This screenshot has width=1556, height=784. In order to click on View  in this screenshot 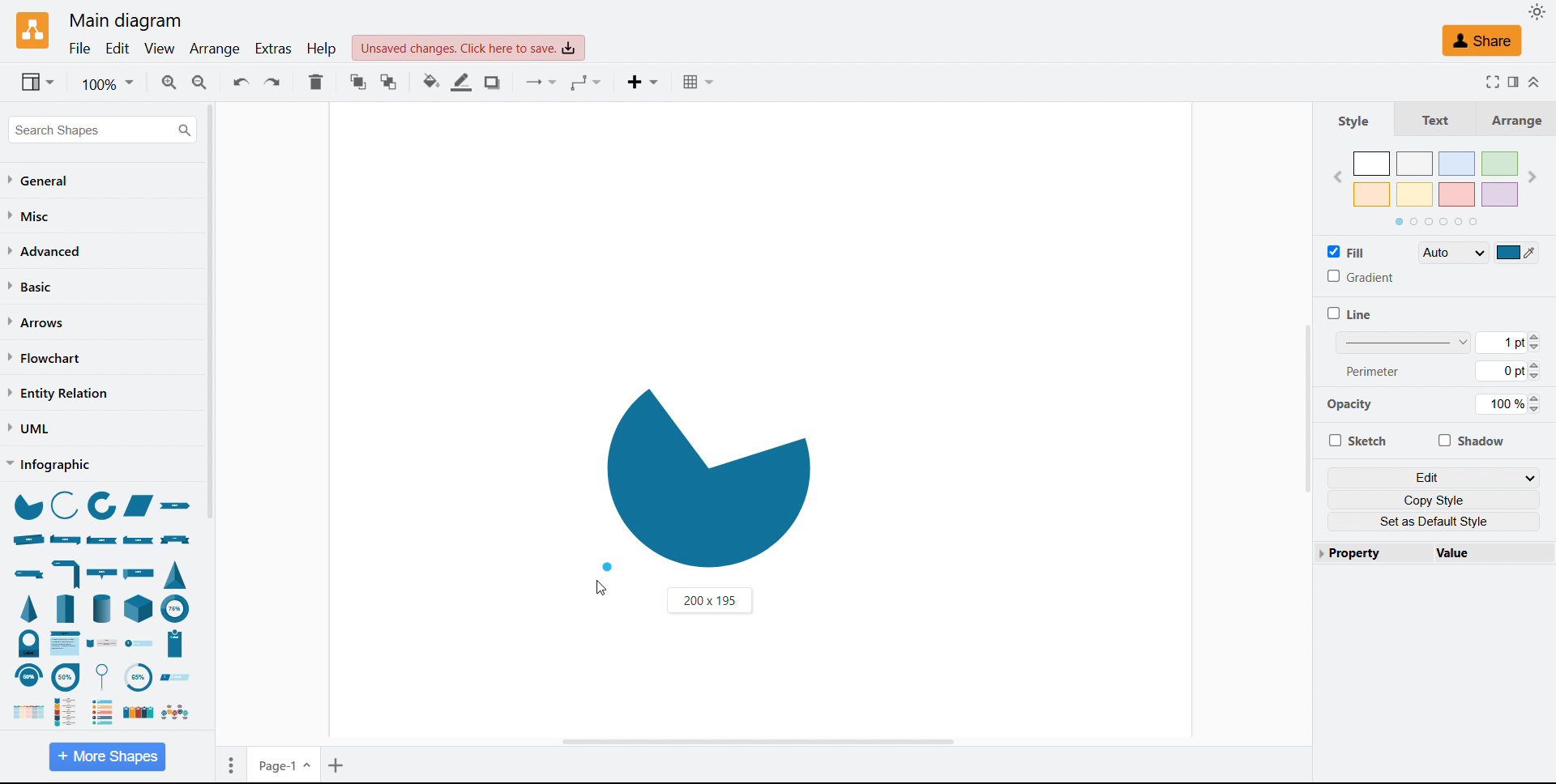, I will do `click(160, 49)`.